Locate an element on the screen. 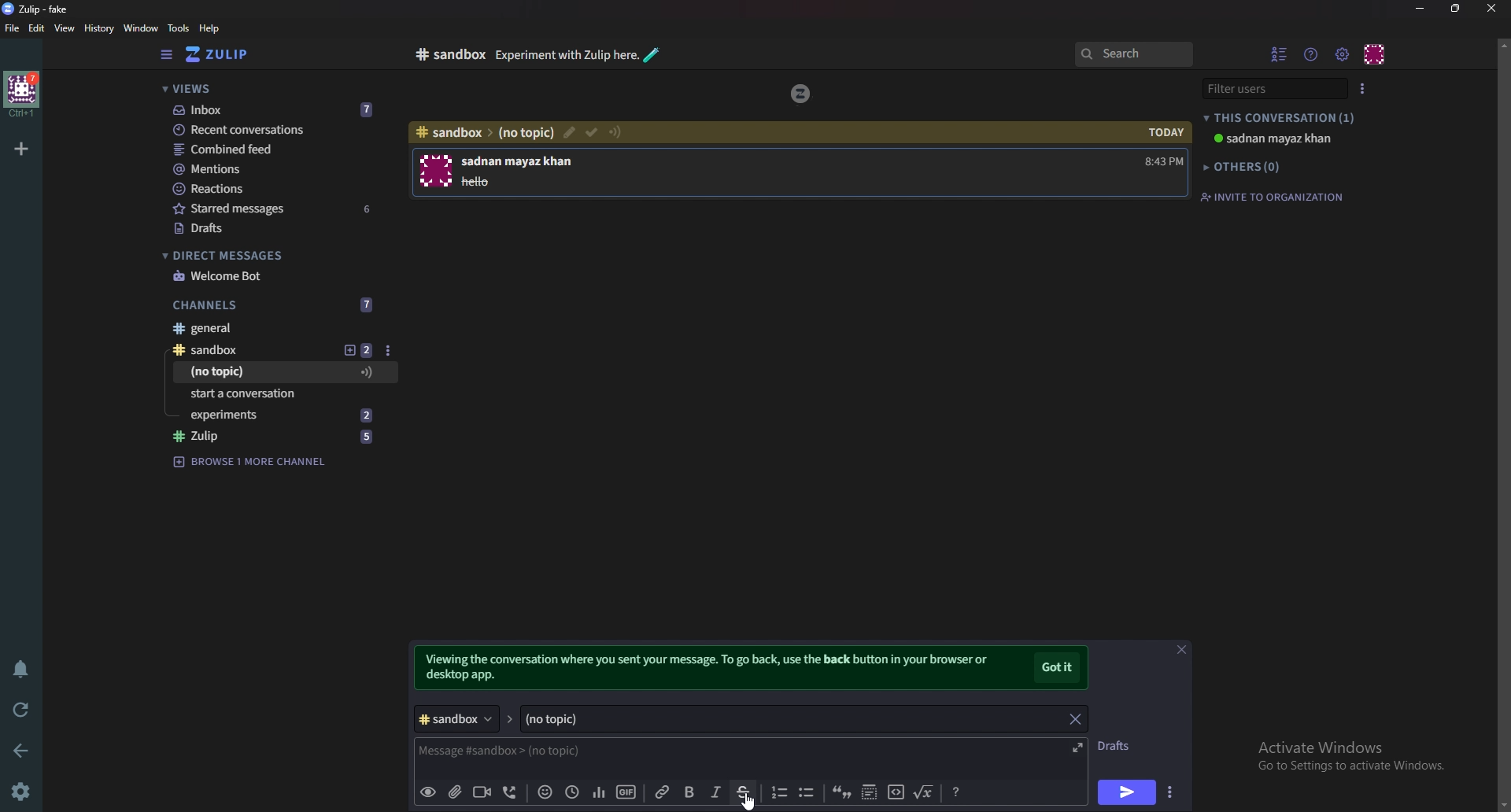 This screenshot has width=1511, height=812. Hide user list is located at coordinates (1280, 53).